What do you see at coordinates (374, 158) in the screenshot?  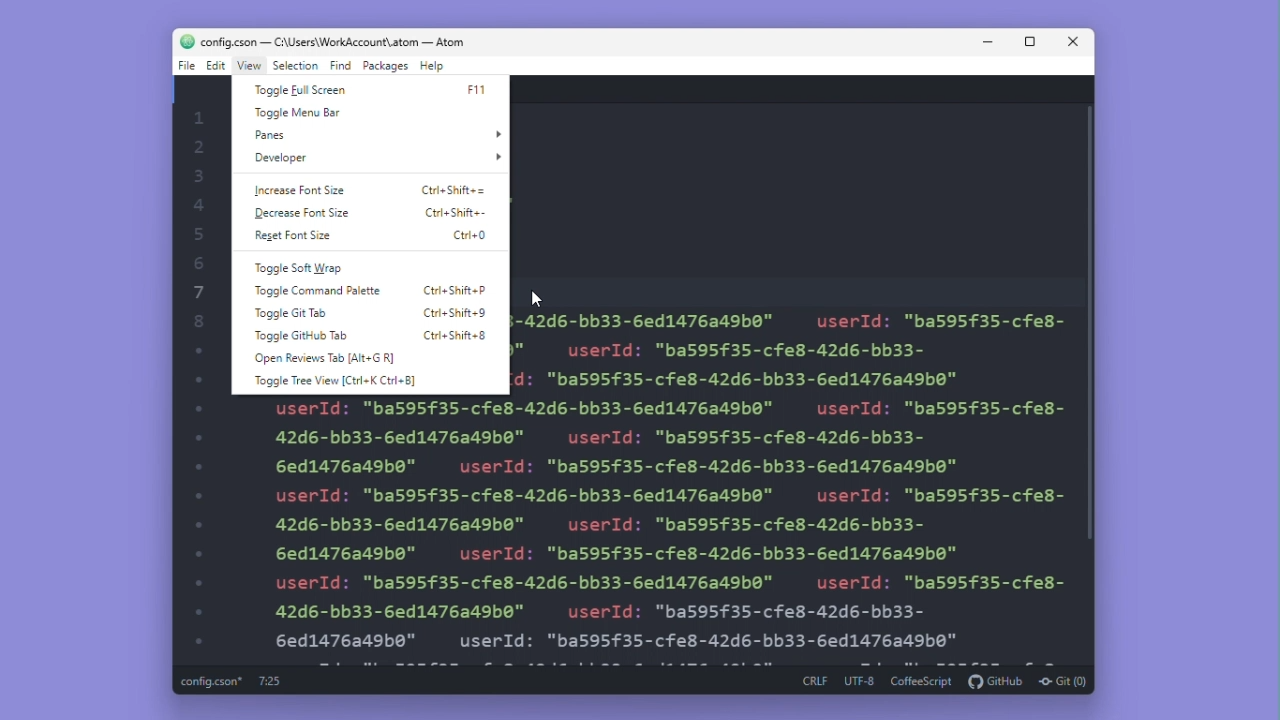 I see `developer` at bounding box center [374, 158].